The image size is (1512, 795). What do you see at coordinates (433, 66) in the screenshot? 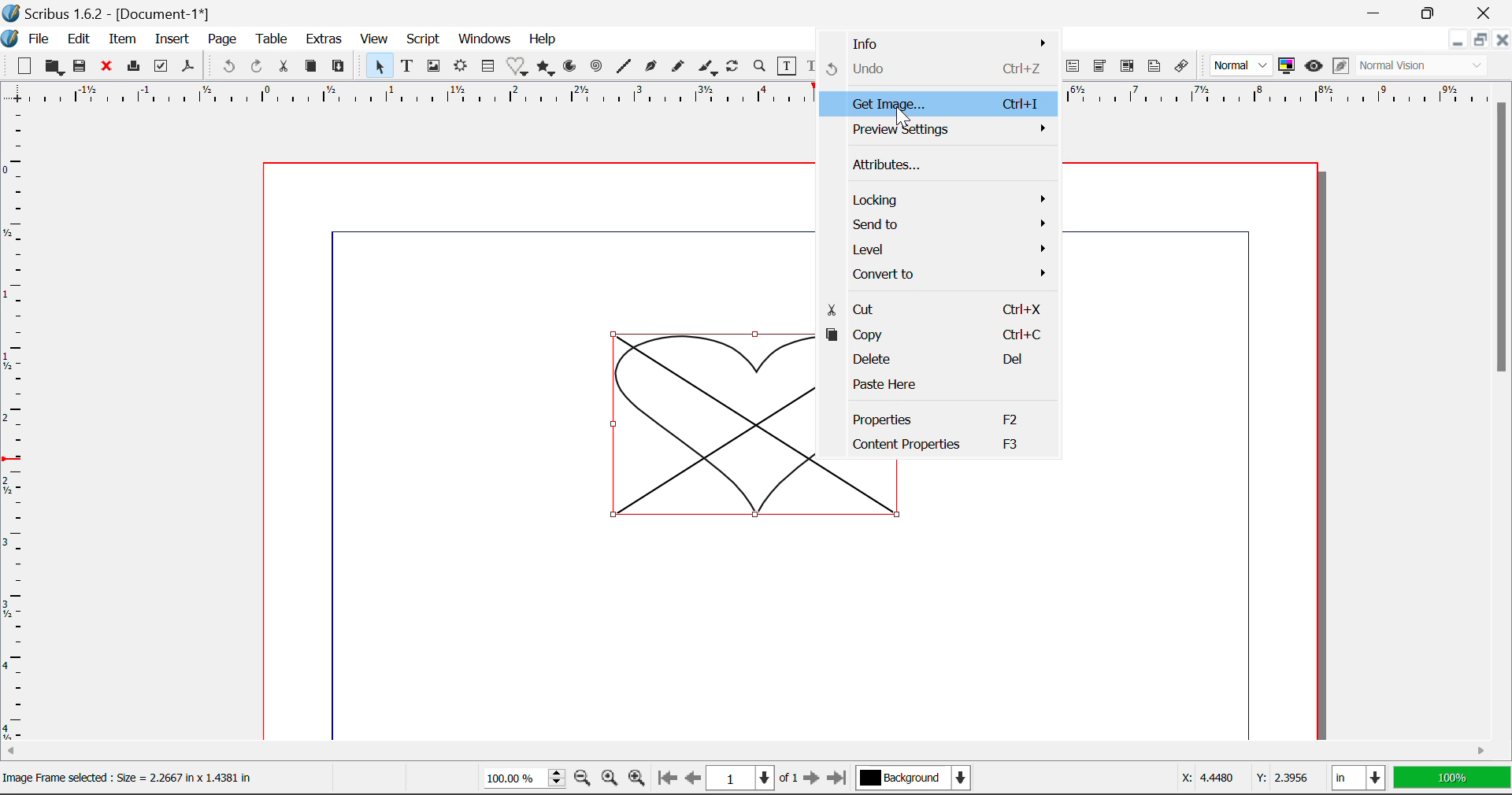
I see `Image Frames` at bounding box center [433, 66].